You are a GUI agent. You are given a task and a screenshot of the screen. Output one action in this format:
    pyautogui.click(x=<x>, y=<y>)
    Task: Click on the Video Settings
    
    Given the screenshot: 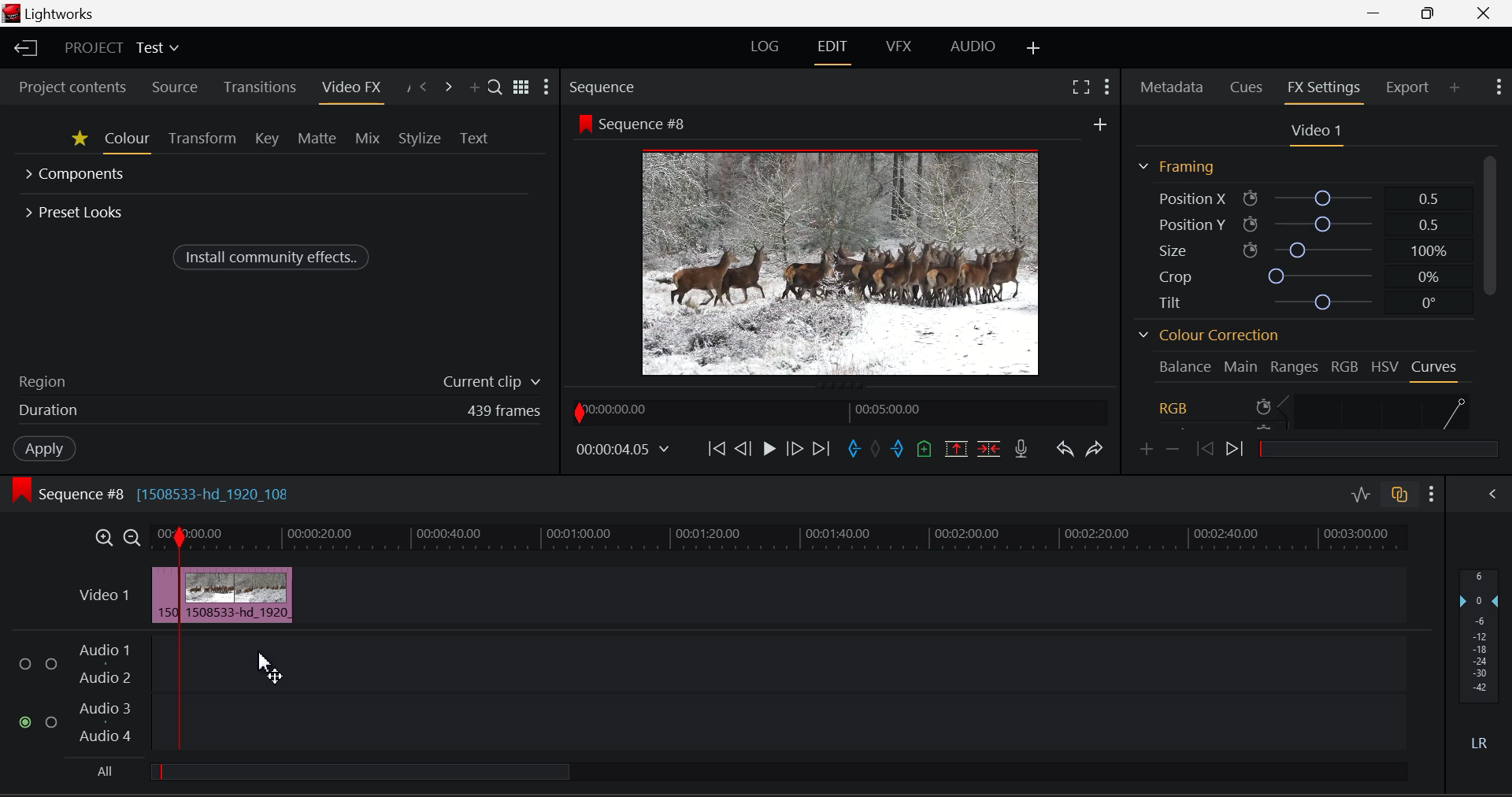 What is the action you would take?
    pyautogui.click(x=1312, y=132)
    